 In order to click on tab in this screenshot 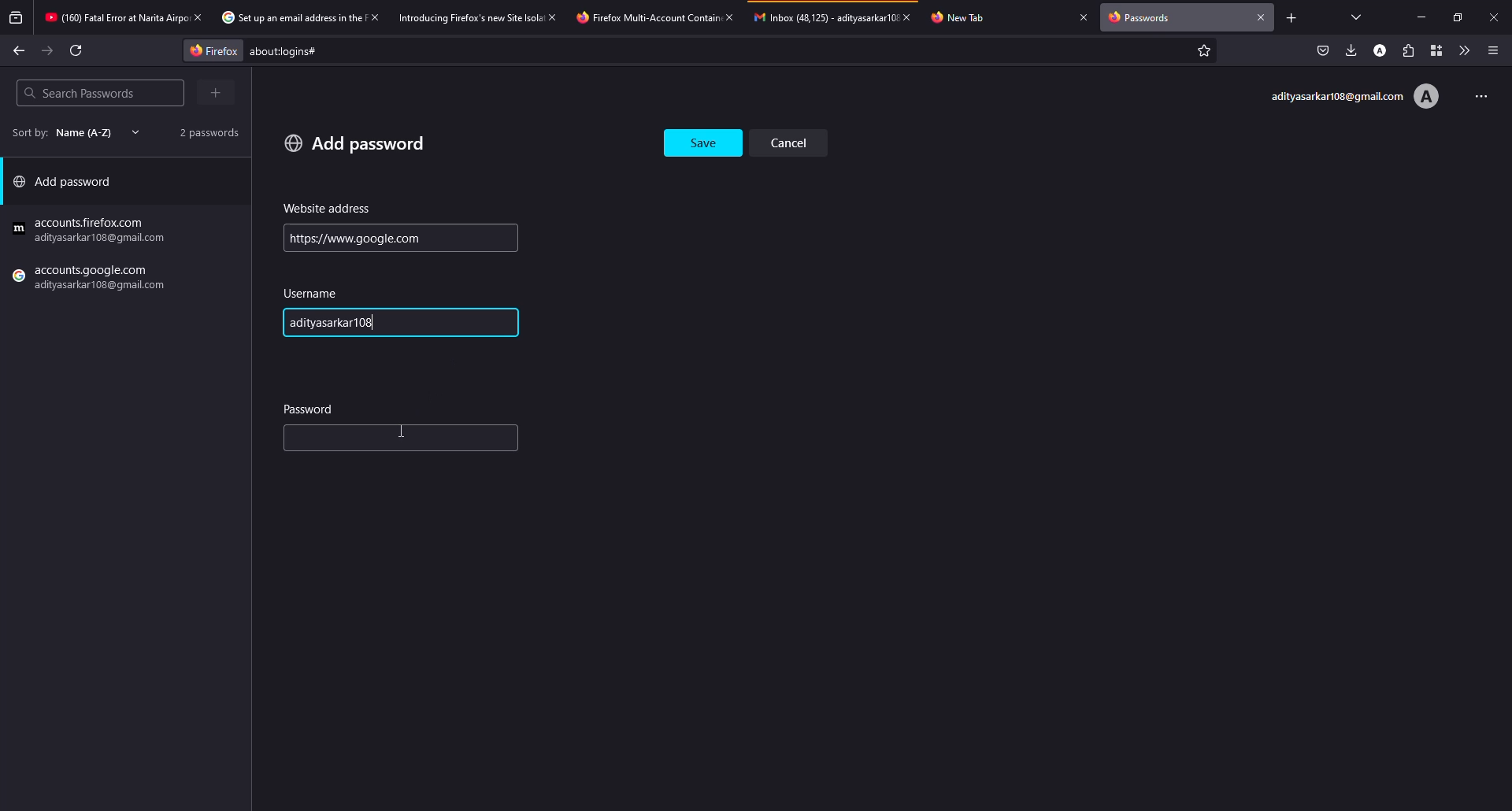, I will do `click(289, 18)`.